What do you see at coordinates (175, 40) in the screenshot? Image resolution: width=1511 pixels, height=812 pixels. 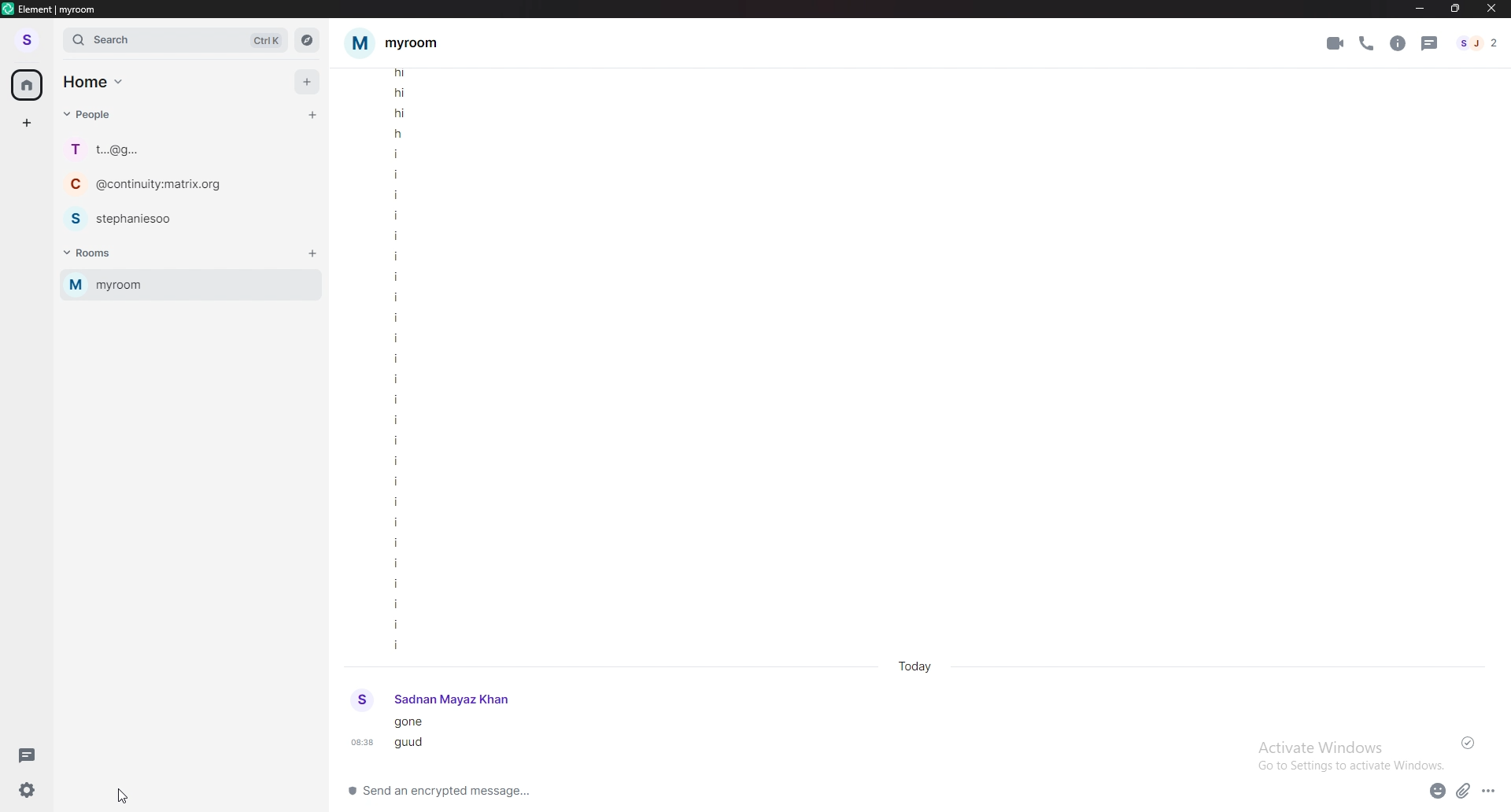 I see `search bar` at bounding box center [175, 40].